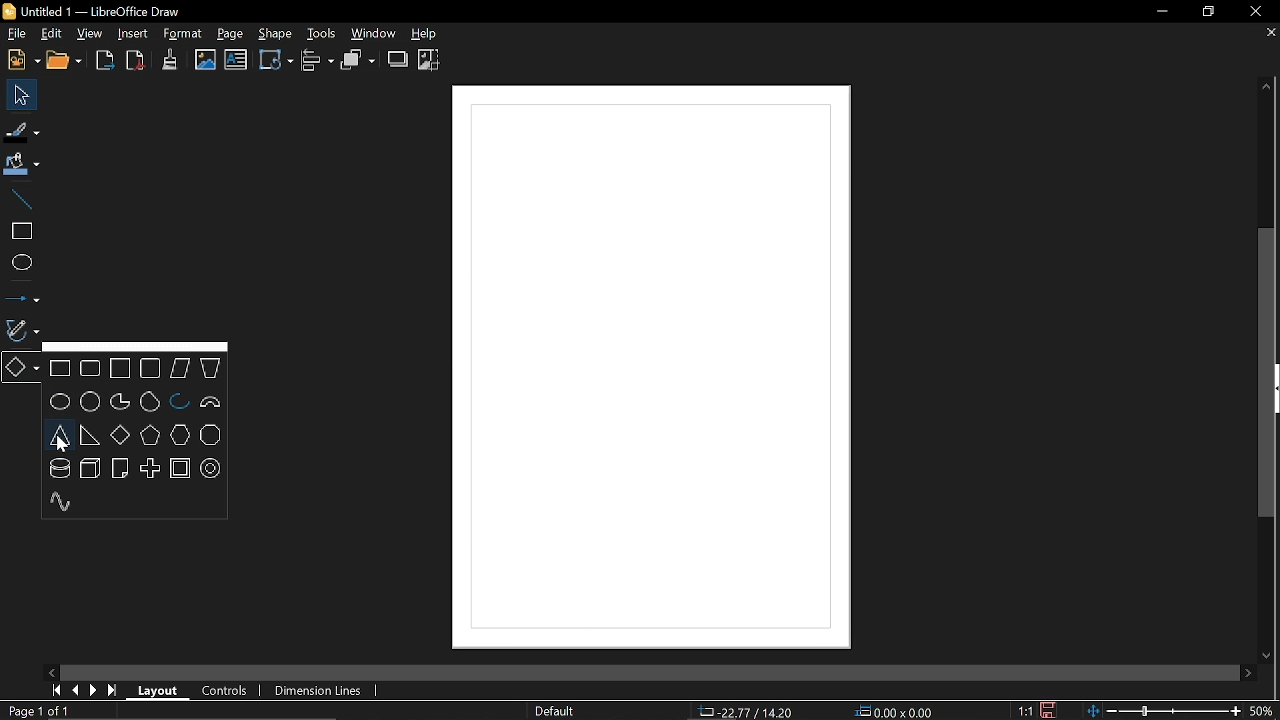 Image resolution: width=1280 pixels, height=720 pixels. What do you see at coordinates (20, 263) in the screenshot?
I see `Ellipse` at bounding box center [20, 263].